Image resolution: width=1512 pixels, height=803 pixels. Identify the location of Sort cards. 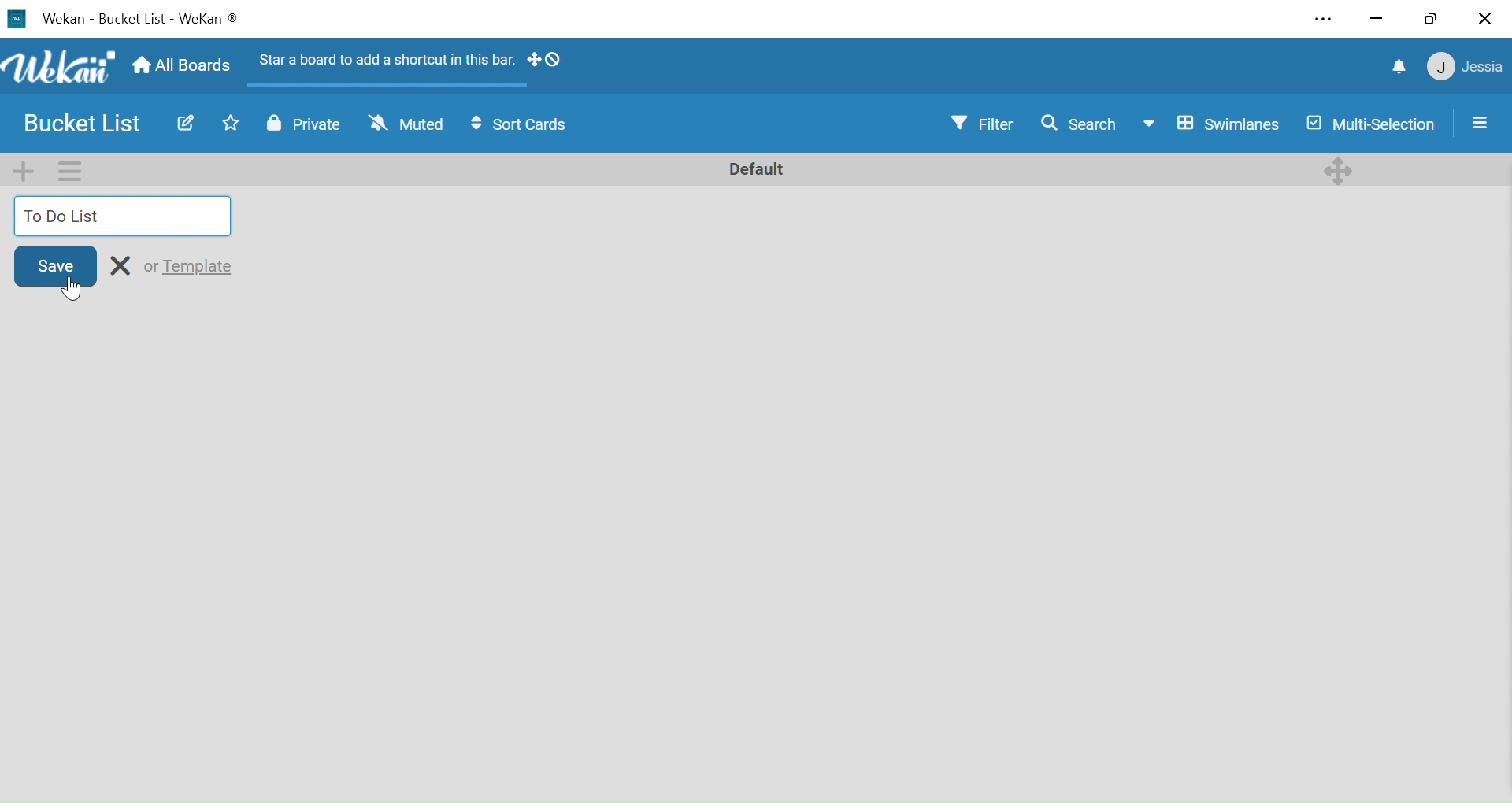
(524, 127).